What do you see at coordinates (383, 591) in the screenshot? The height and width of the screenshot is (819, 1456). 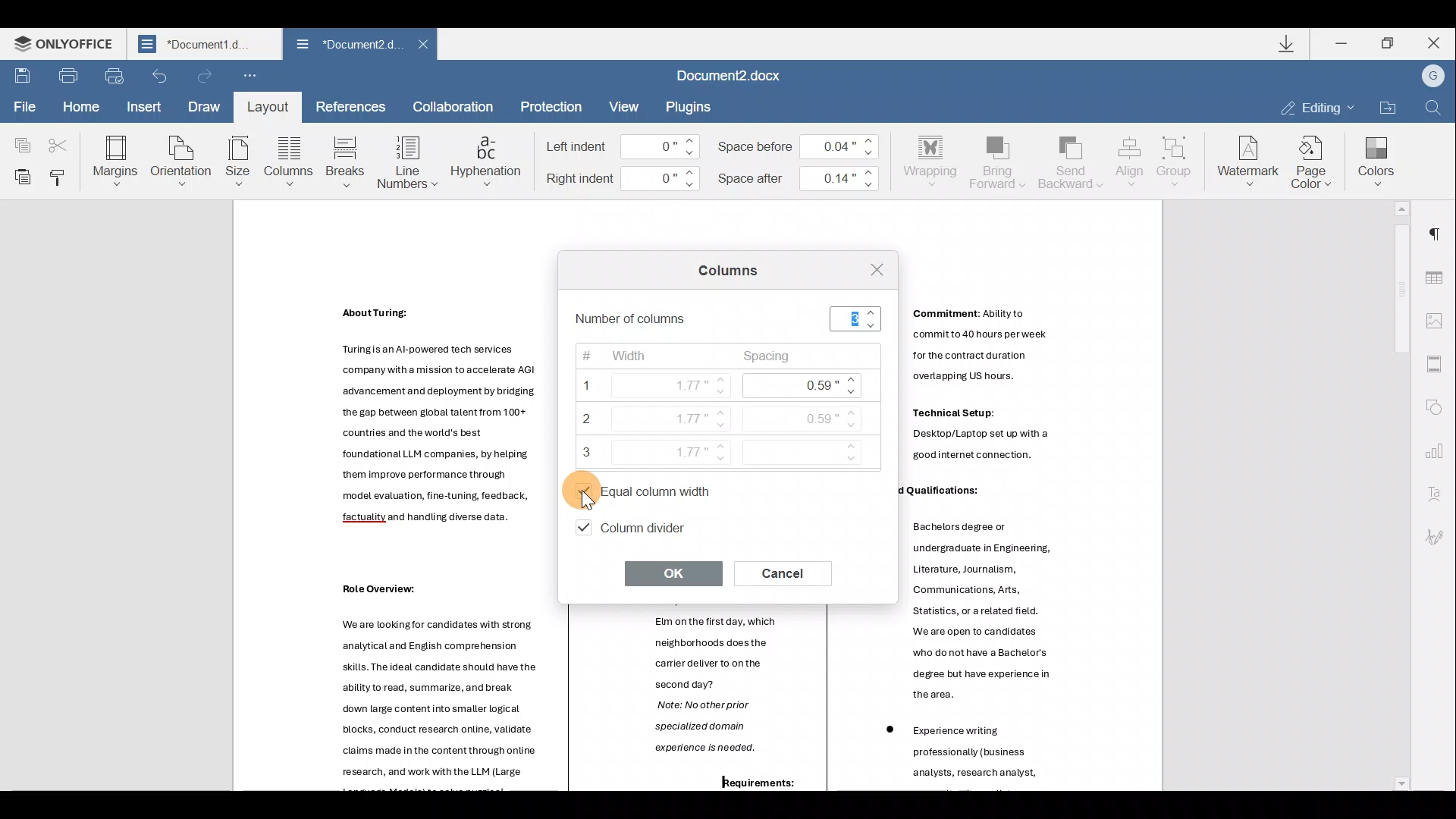 I see `` at bounding box center [383, 591].